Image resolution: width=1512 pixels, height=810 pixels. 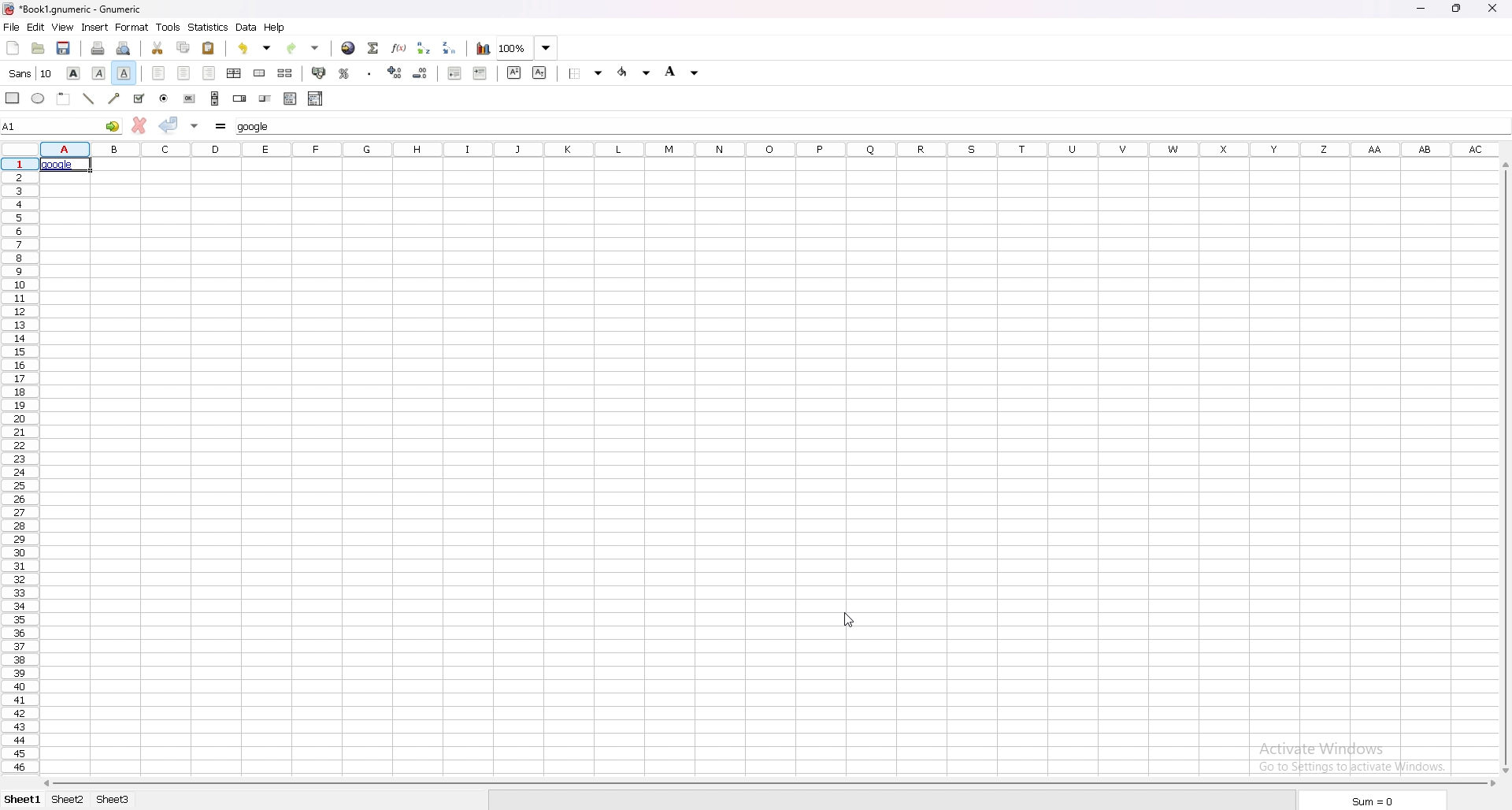 I want to click on background, so click(x=684, y=72).